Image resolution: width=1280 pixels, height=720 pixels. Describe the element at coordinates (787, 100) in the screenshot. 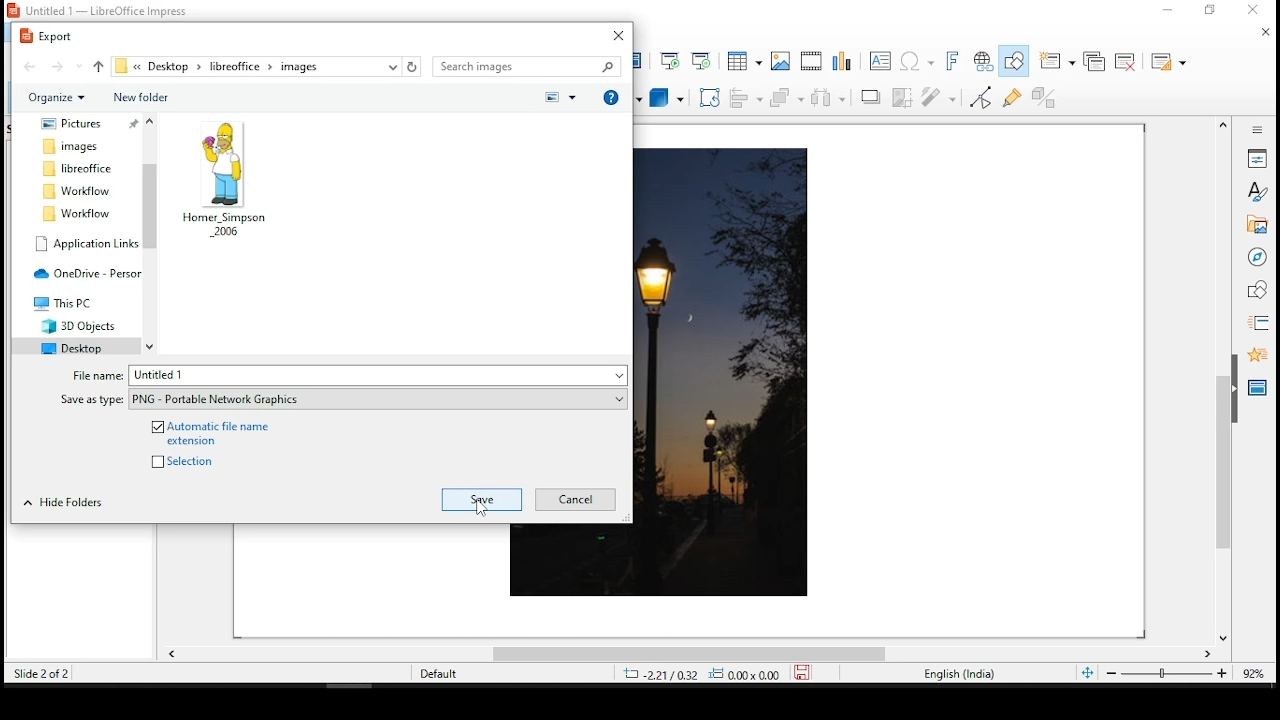

I see `arrange` at that location.